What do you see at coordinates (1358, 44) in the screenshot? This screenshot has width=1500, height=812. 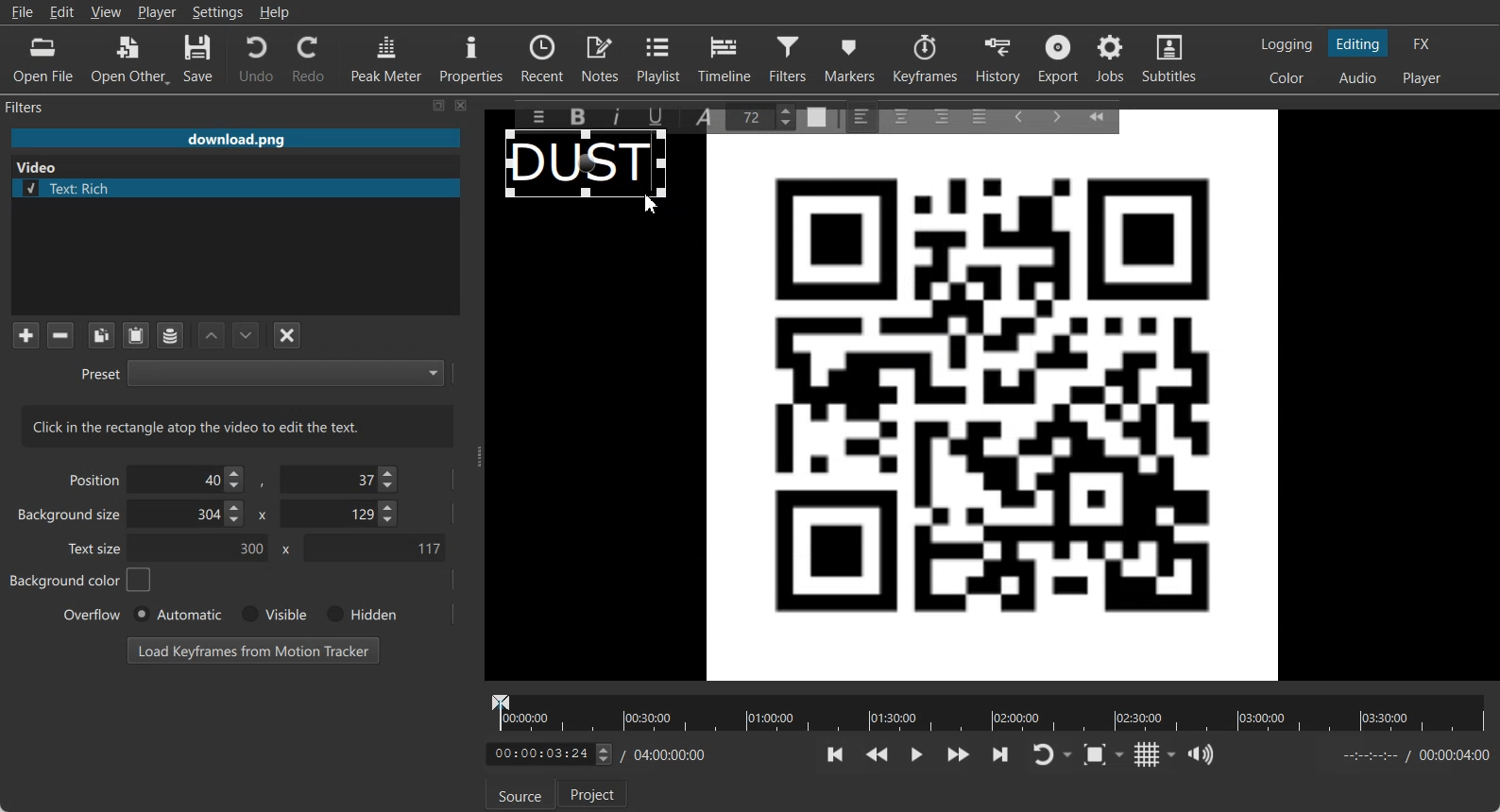 I see `Switching to the Editing layout` at bounding box center [1358, 44].